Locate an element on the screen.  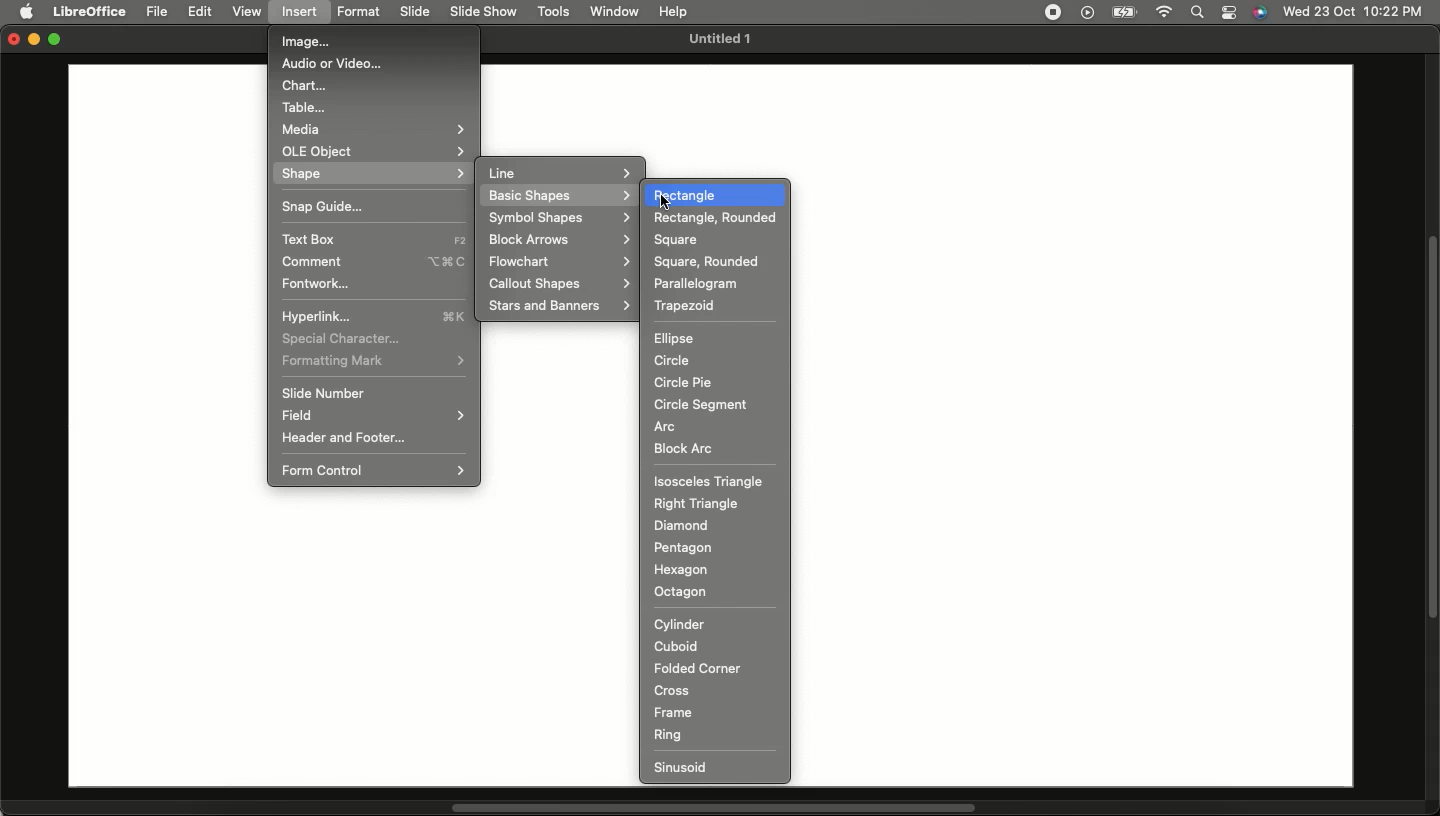
Folded corner is located at coordinates (698, 667).